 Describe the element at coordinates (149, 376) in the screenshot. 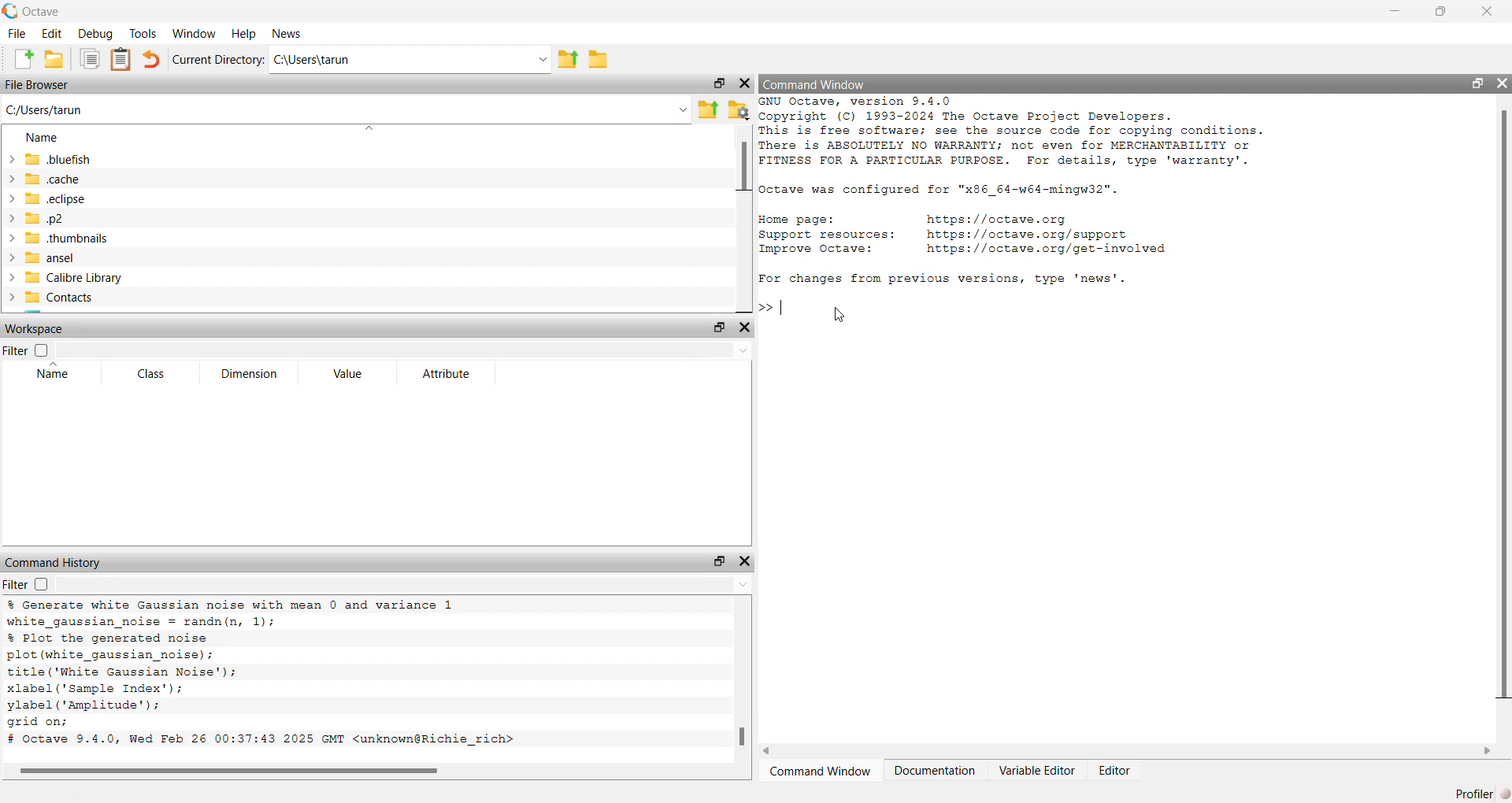

I see `Class` at that location.